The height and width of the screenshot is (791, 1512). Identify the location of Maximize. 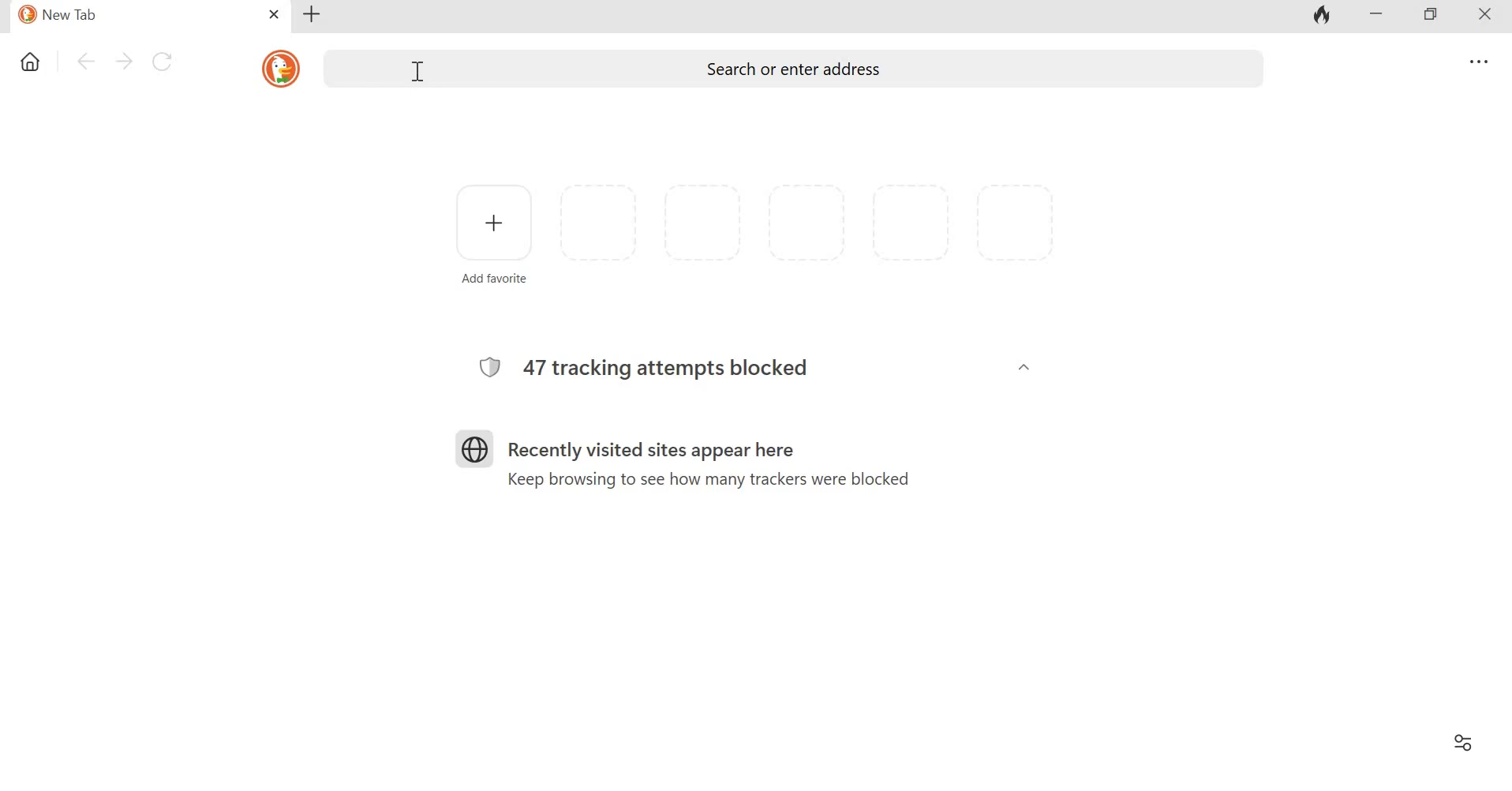
(1438, 16).